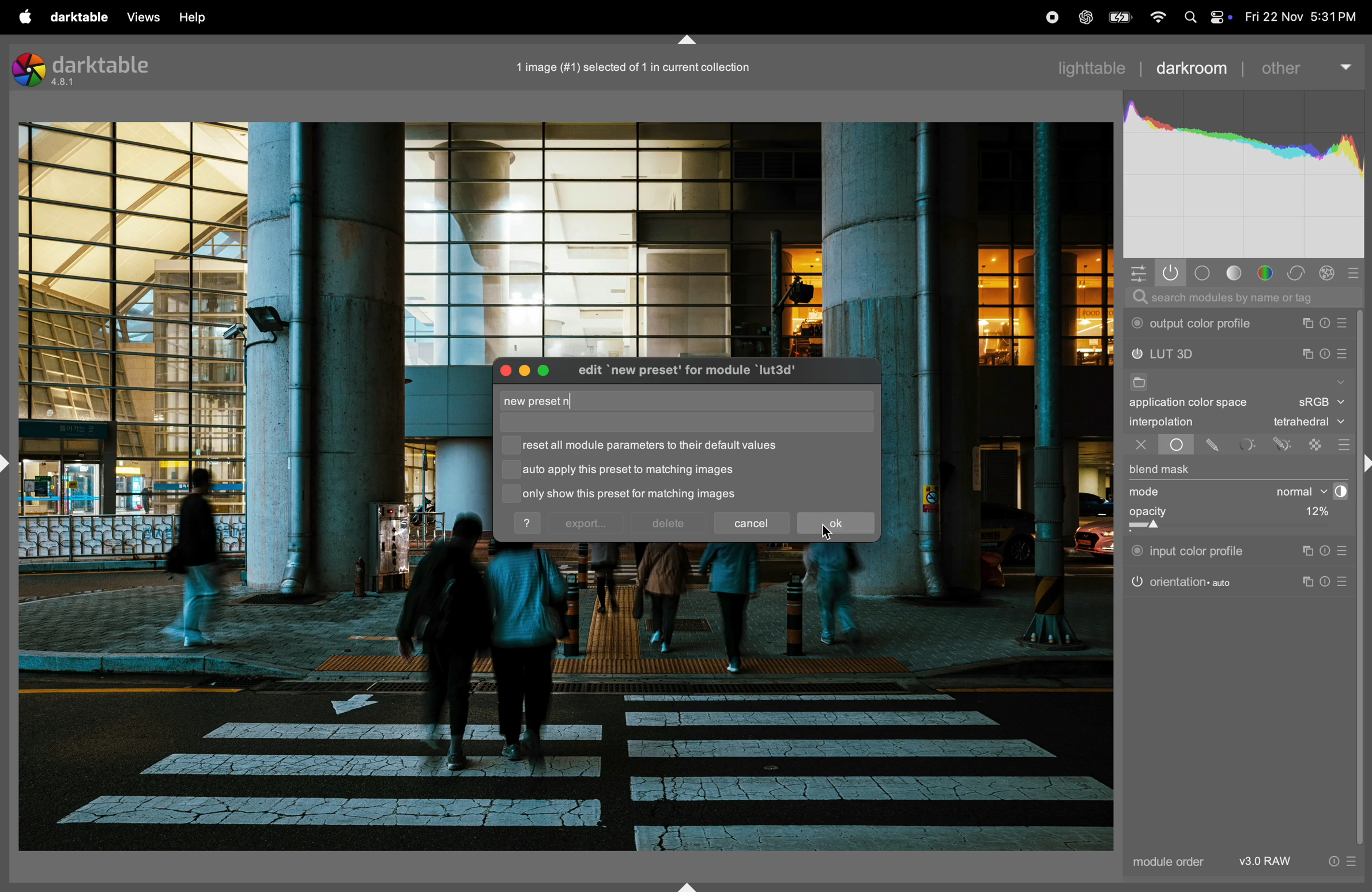 Image resolution: width=1372 pixels, height=892 pixels. I want to click on cursor, so click(574, 402).